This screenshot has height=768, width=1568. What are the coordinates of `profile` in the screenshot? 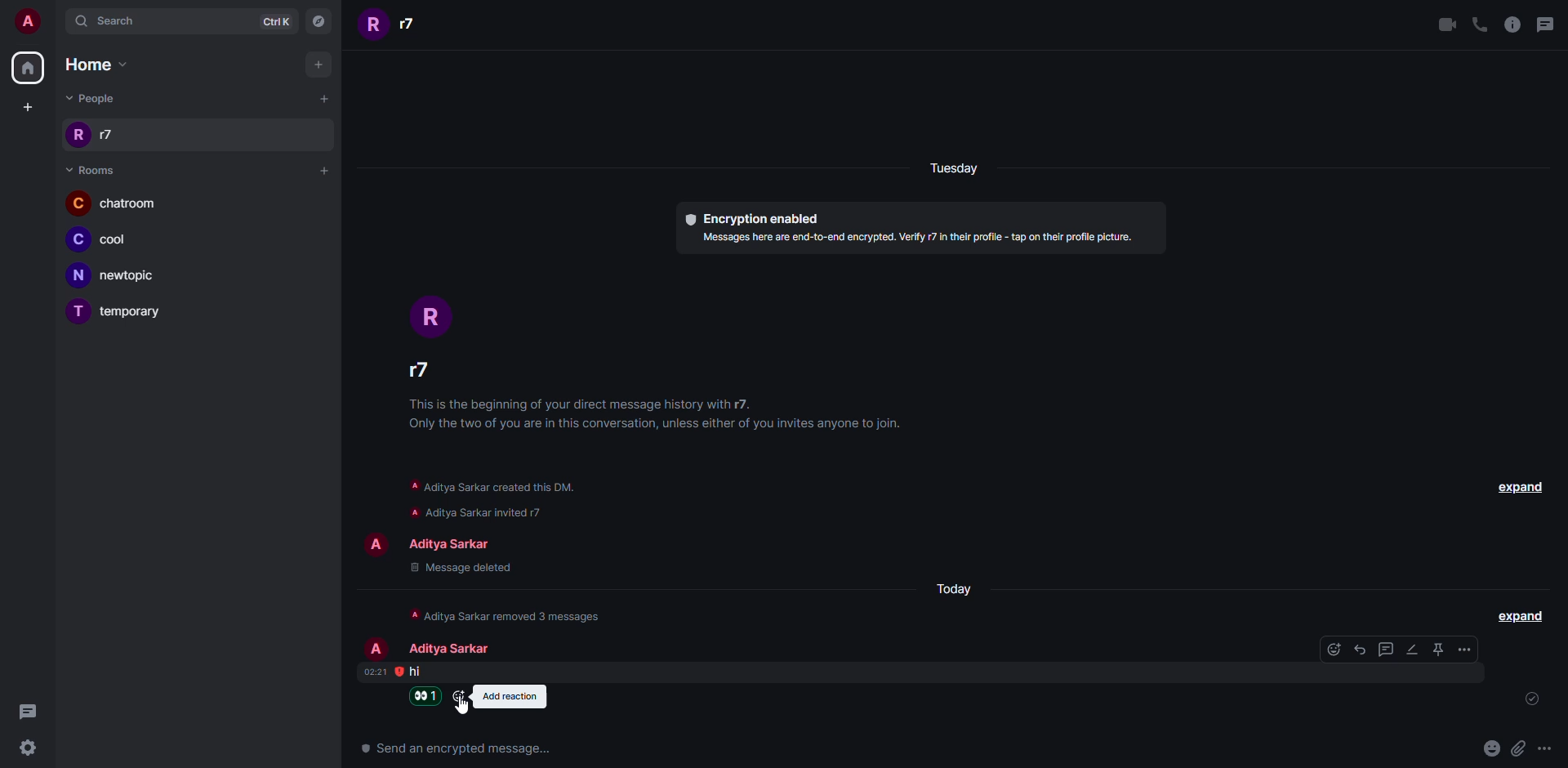 It's located at (376, 547).